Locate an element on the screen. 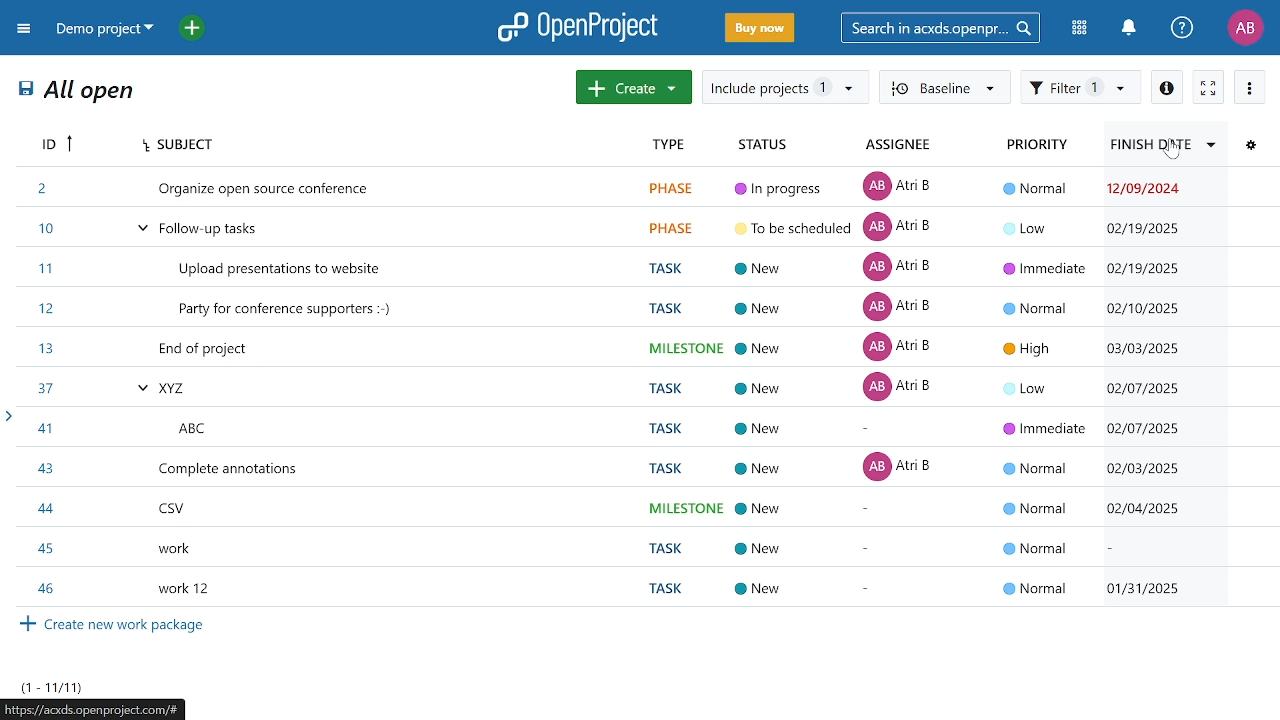  notification center is located at coordinates (1128, 28).